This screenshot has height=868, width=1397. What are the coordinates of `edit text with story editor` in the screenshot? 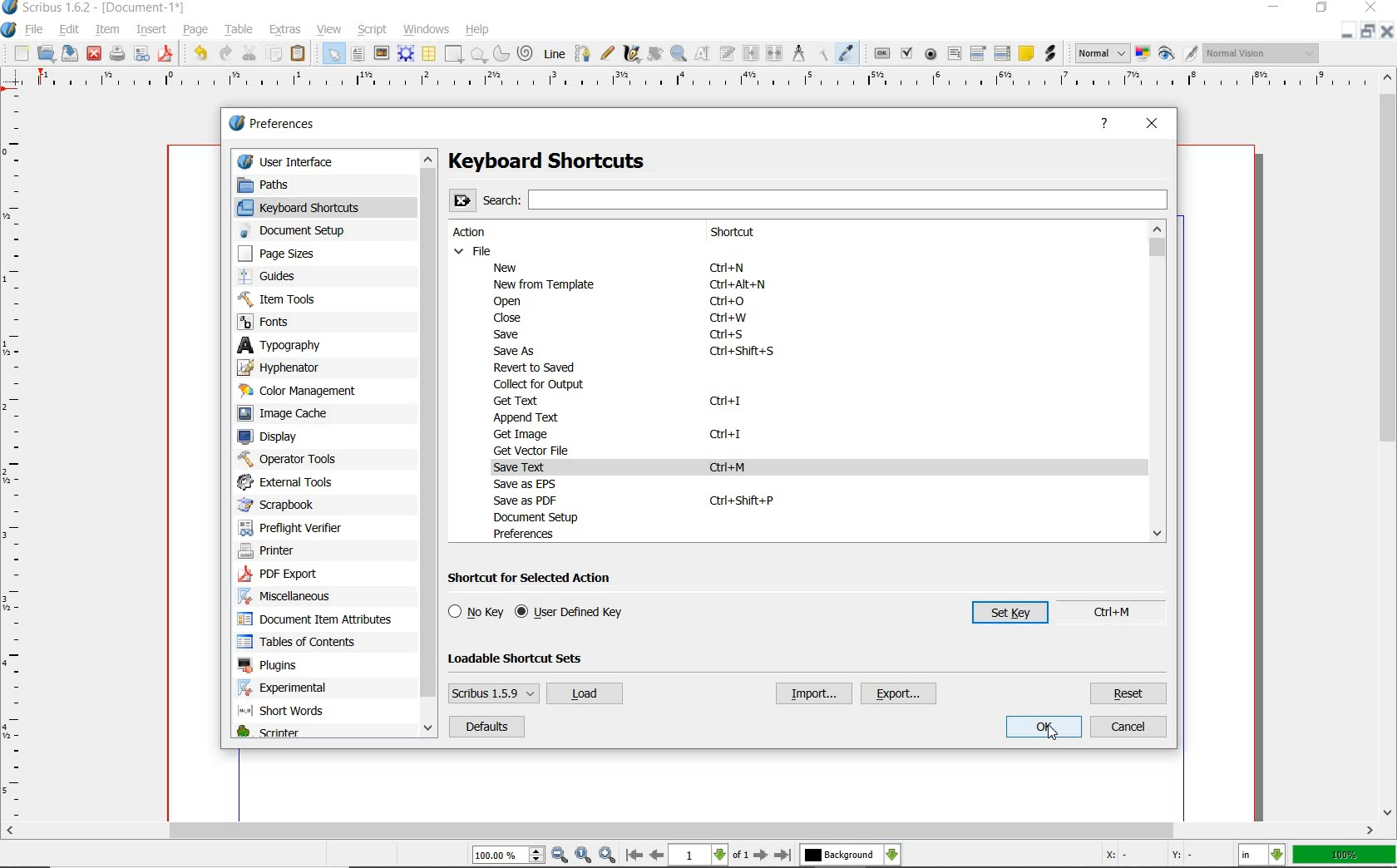 It's located at (728, 52).